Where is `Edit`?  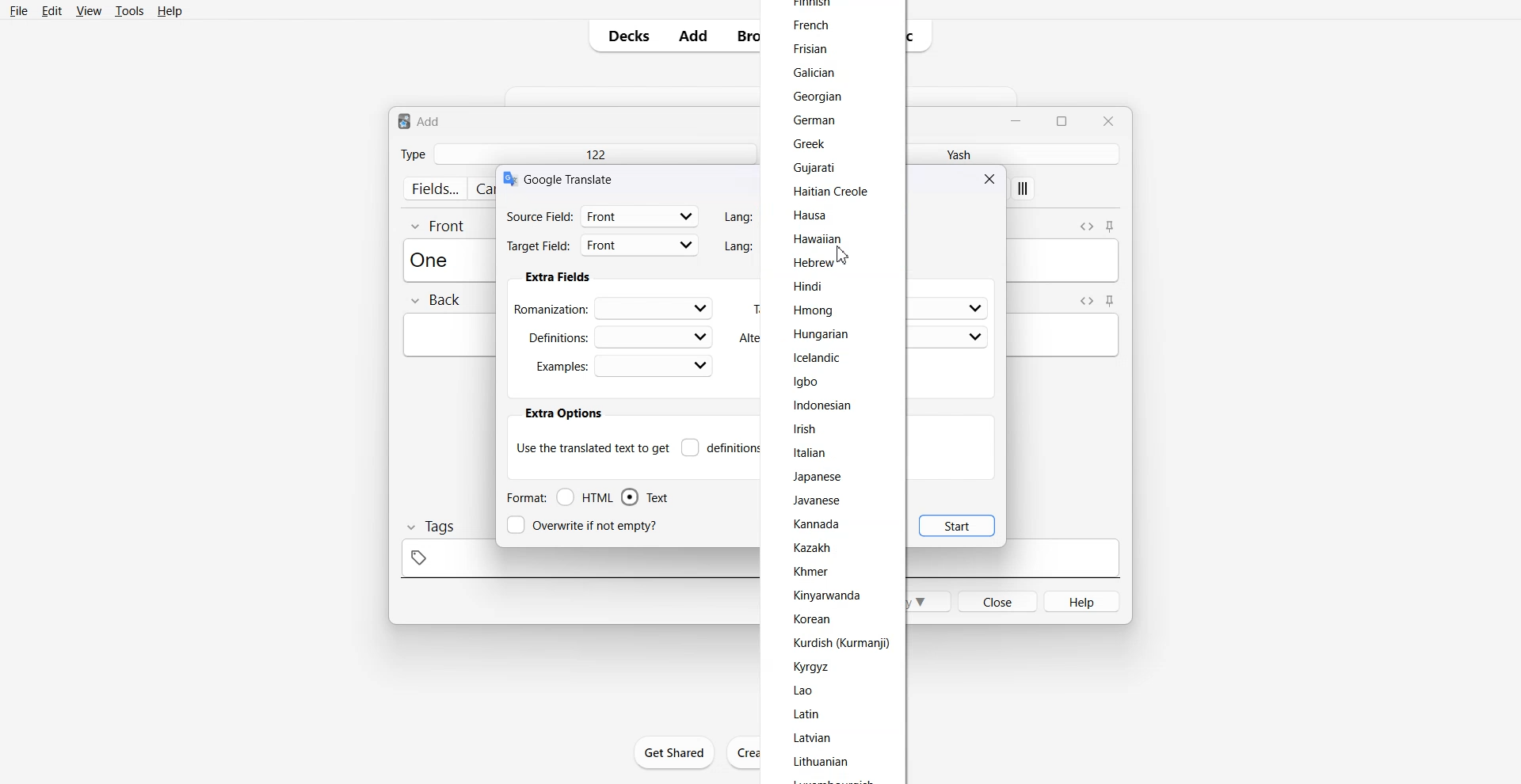
Edit is located at coordinates (51, 10).